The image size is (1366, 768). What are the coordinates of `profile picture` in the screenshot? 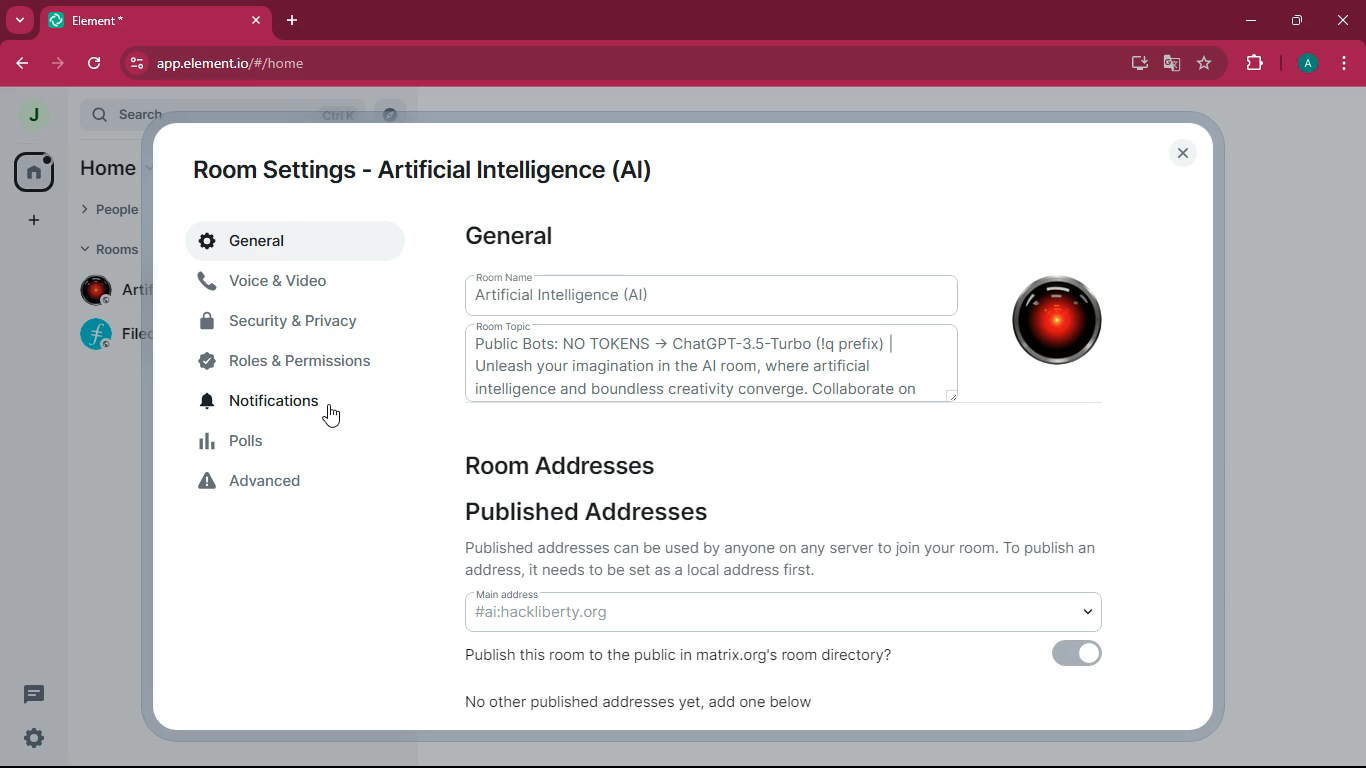 It's located at (37, 116).